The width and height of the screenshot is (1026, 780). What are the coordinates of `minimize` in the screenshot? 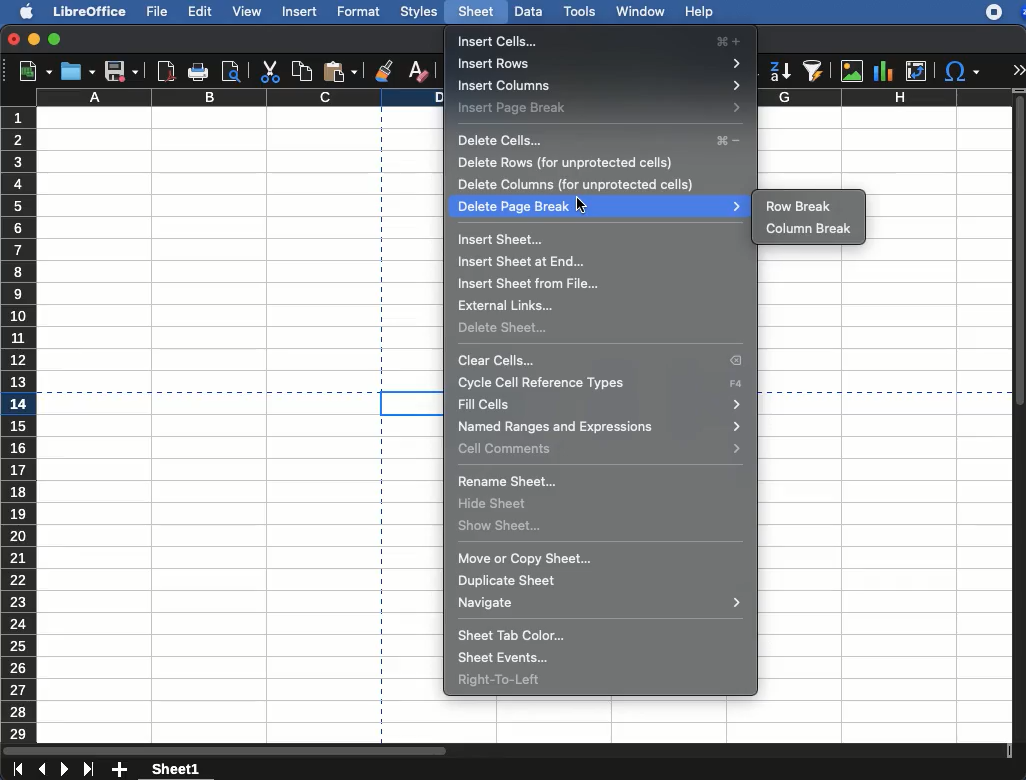 It's located at (35, 39).